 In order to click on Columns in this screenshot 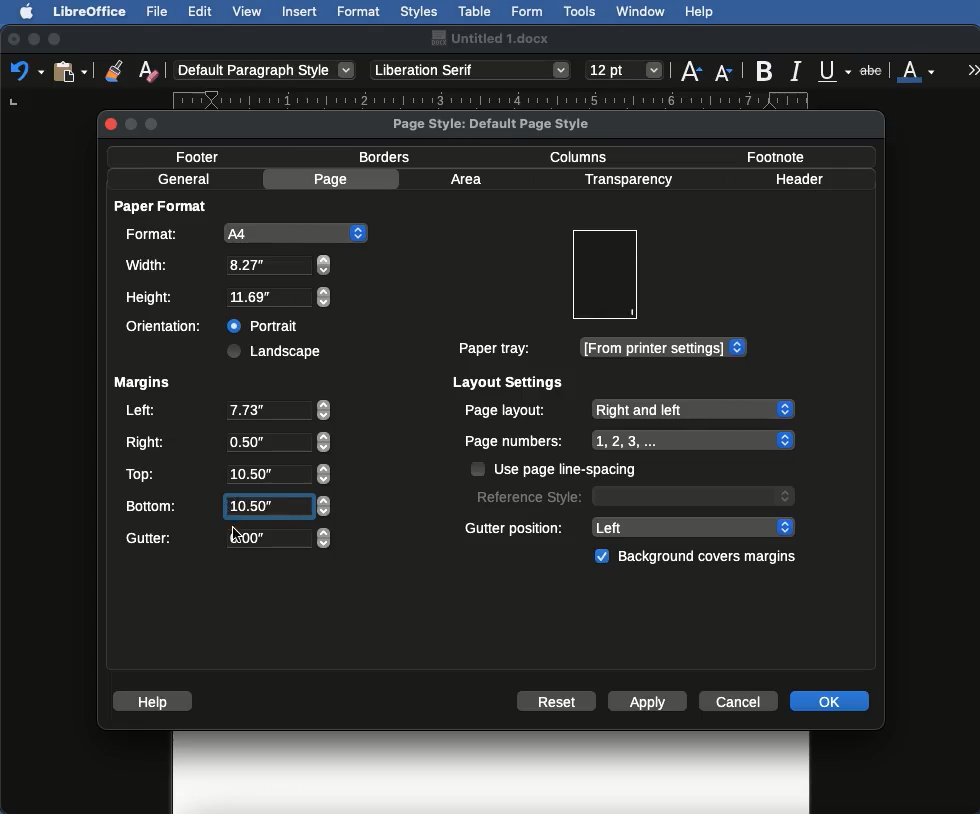, I will do `click(584, 155)`.